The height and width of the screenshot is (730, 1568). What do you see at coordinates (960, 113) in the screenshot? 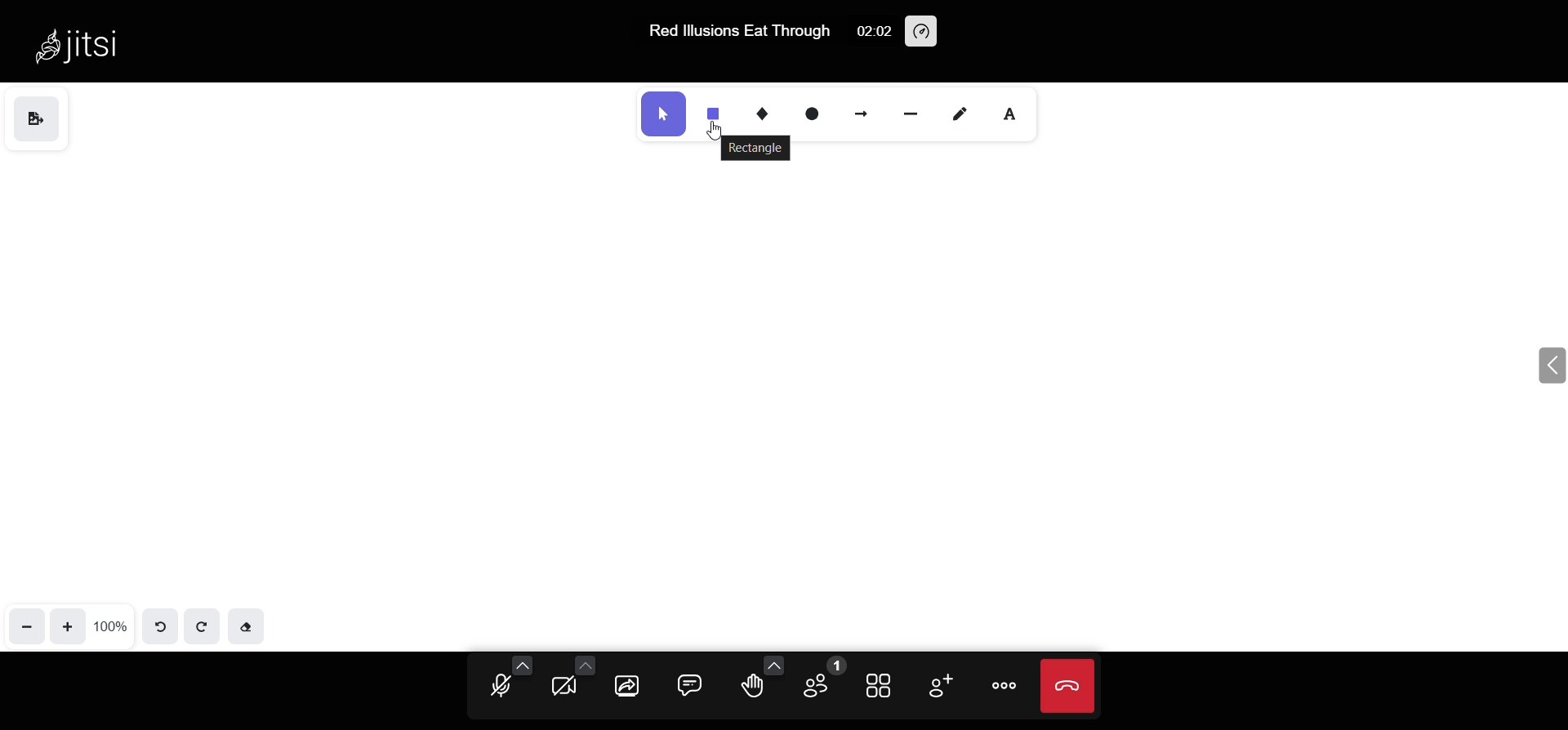
I see `draw` at bounding box center [960, 113].